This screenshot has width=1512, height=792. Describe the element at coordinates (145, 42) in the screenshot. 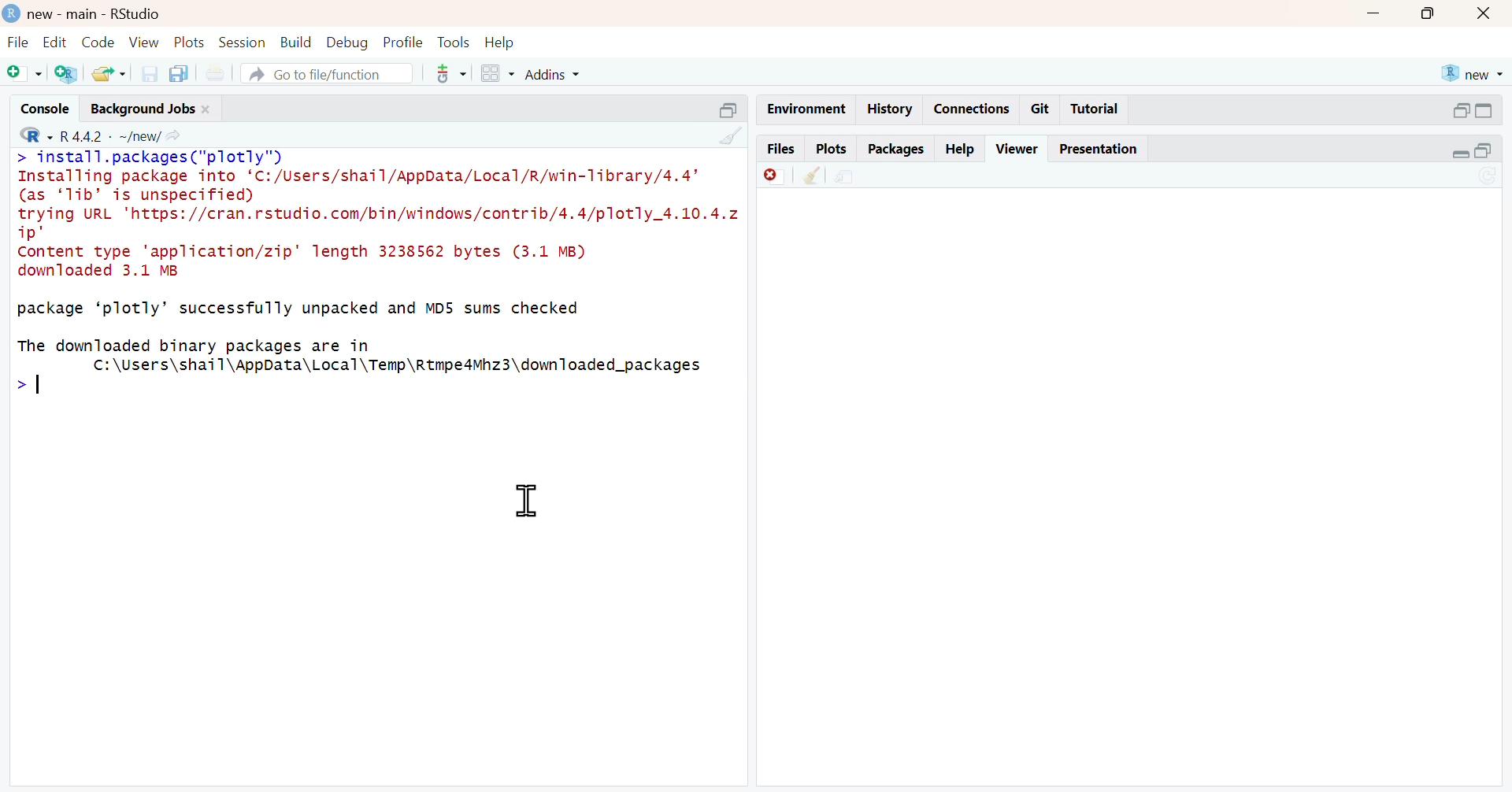

I see `view` at that location.